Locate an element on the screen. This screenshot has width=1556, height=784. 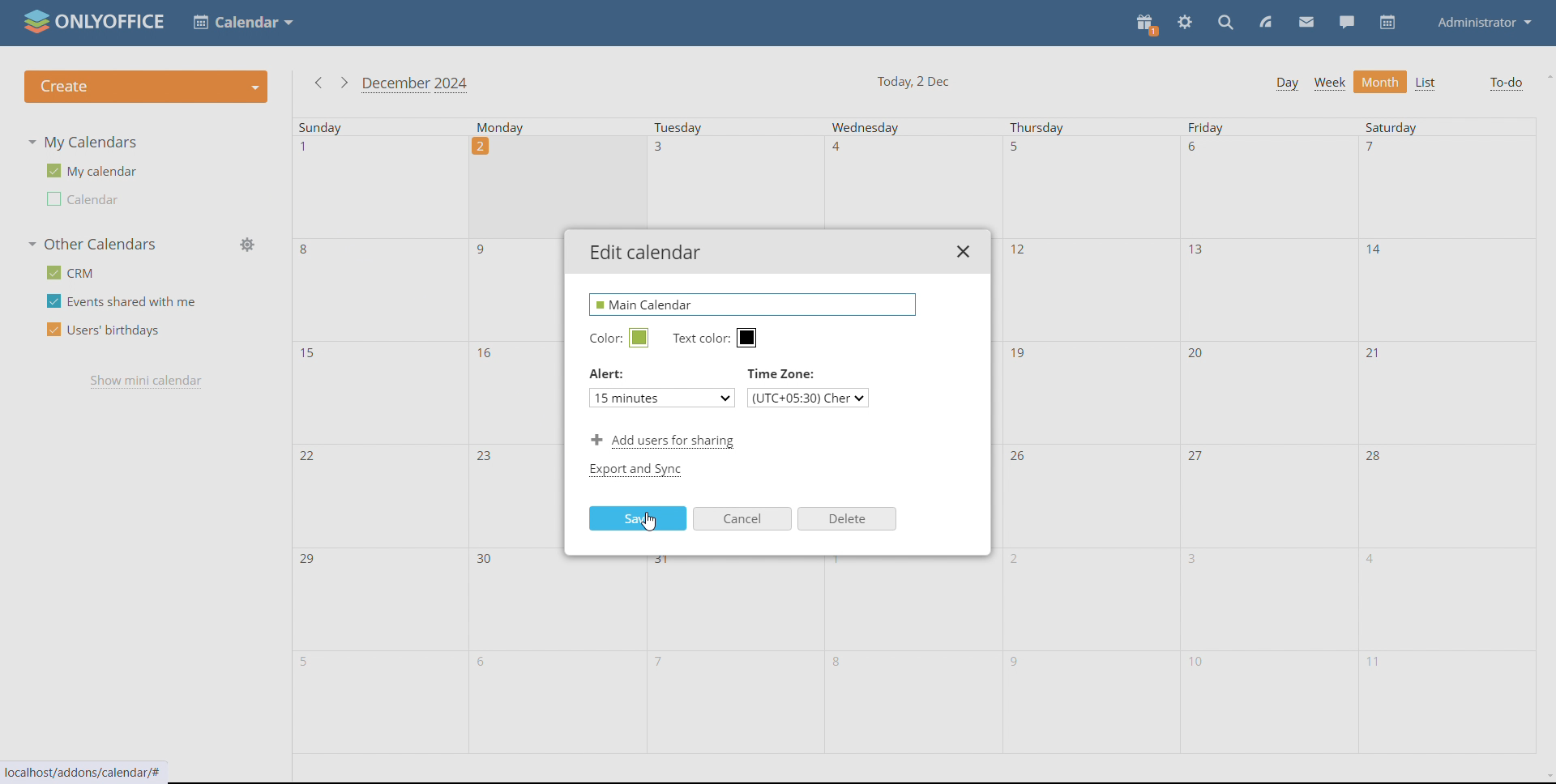
thursday is located at coordinates (1083, 126).